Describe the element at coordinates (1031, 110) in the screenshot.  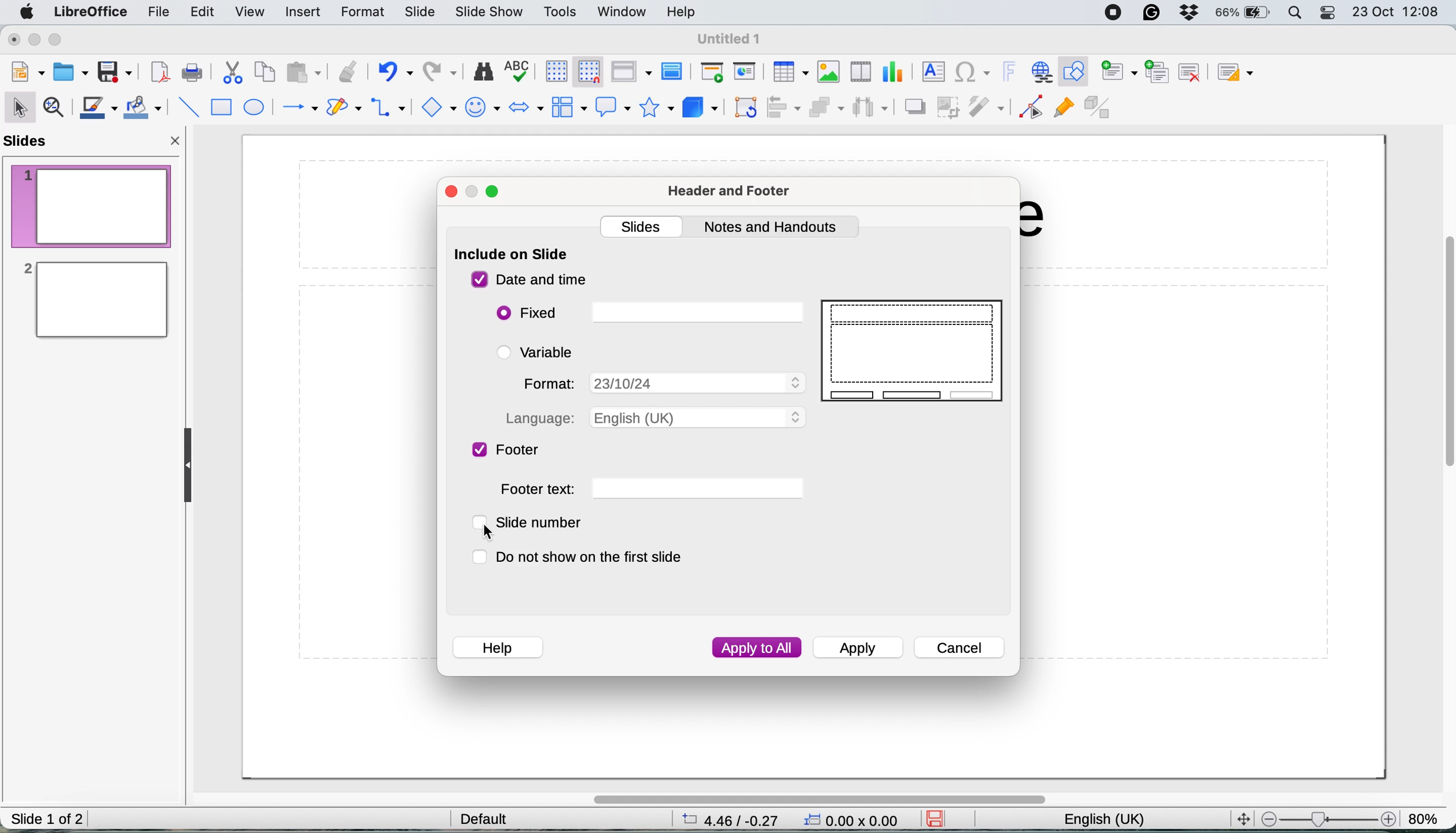
I see `toggle point edit mode` at that location.